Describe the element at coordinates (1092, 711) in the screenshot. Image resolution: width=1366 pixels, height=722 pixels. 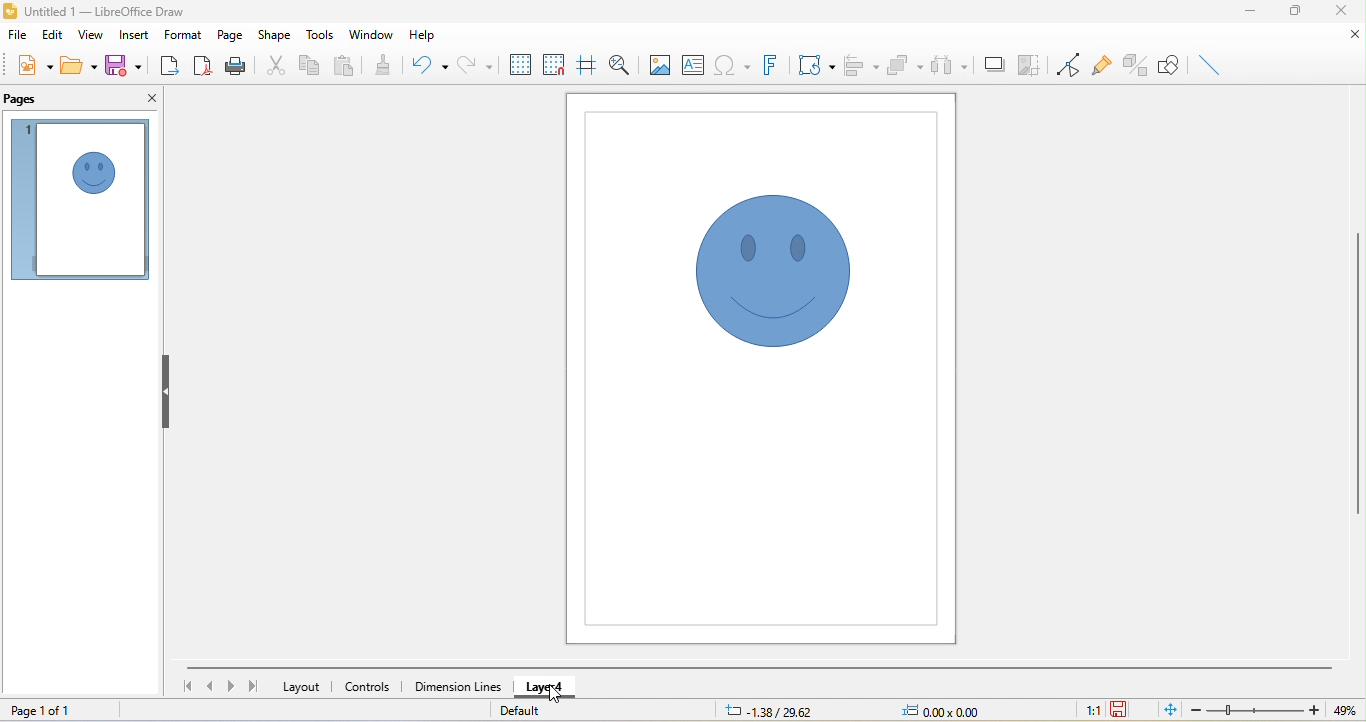
I see `1:1` at that location.